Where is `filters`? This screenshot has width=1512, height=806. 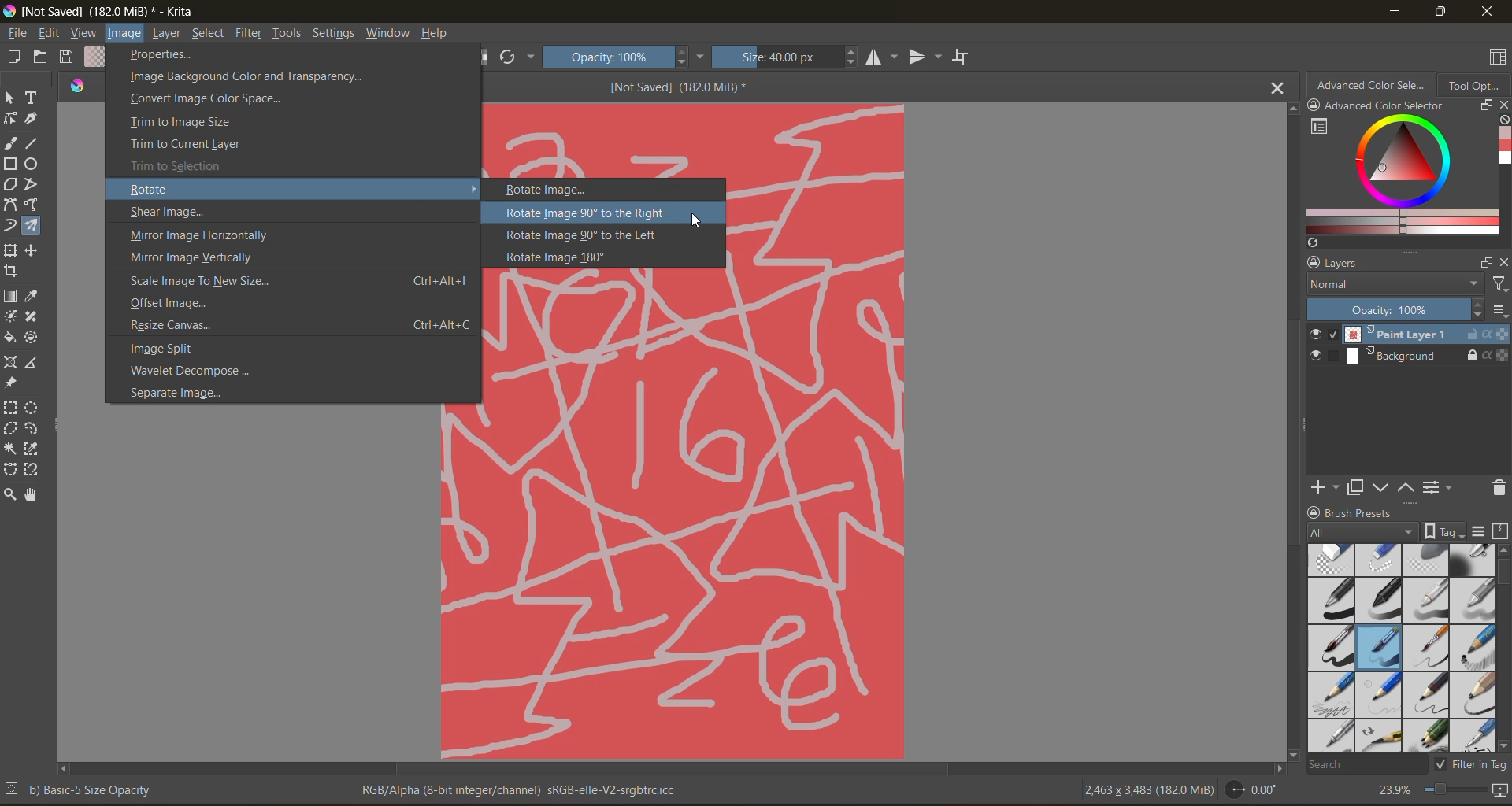 filters is located at coordinates (253, 35).